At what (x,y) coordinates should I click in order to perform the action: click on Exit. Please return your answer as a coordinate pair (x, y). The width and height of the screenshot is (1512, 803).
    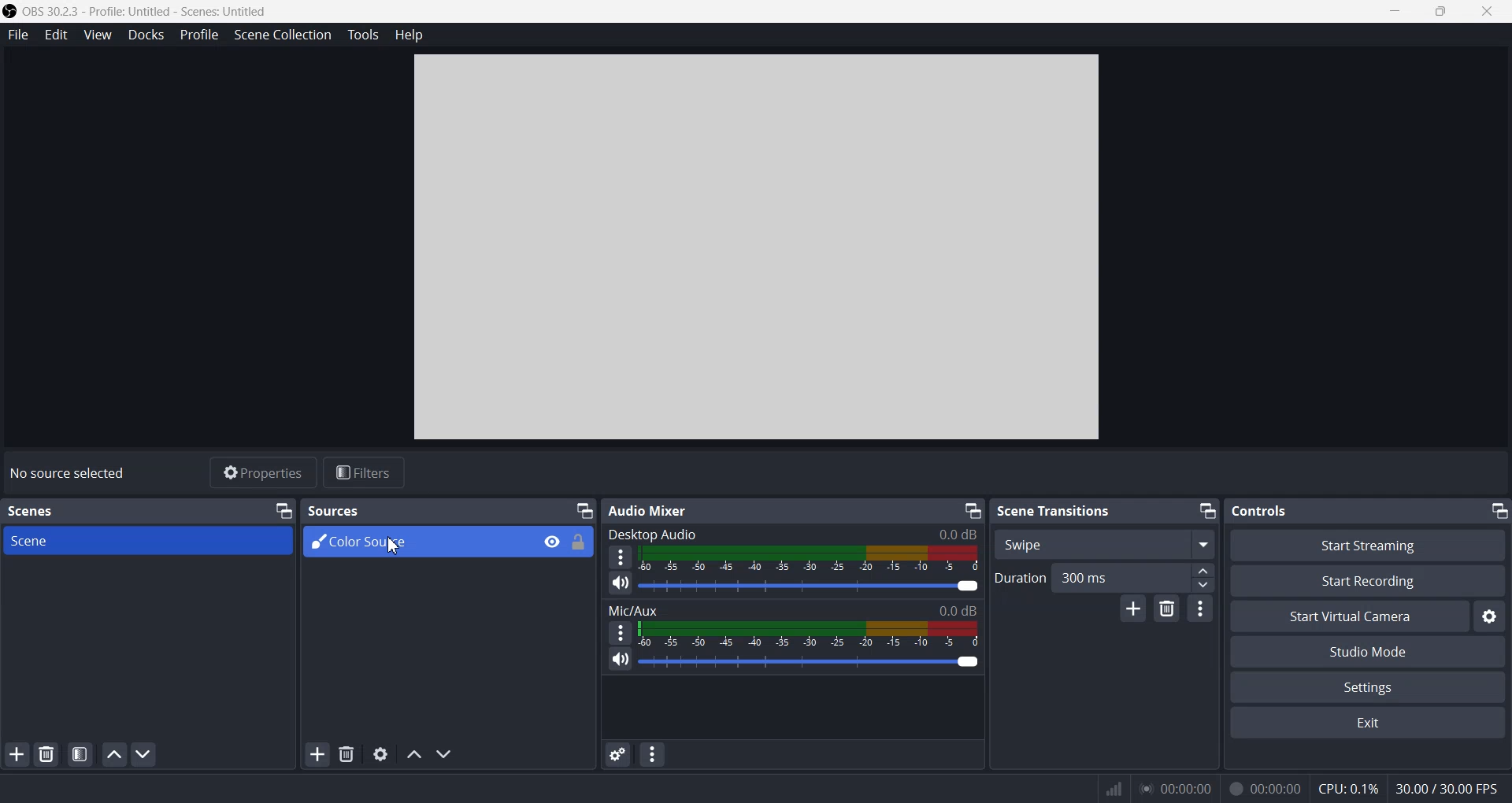
    Looking at the image, I should click on (1369, 724).